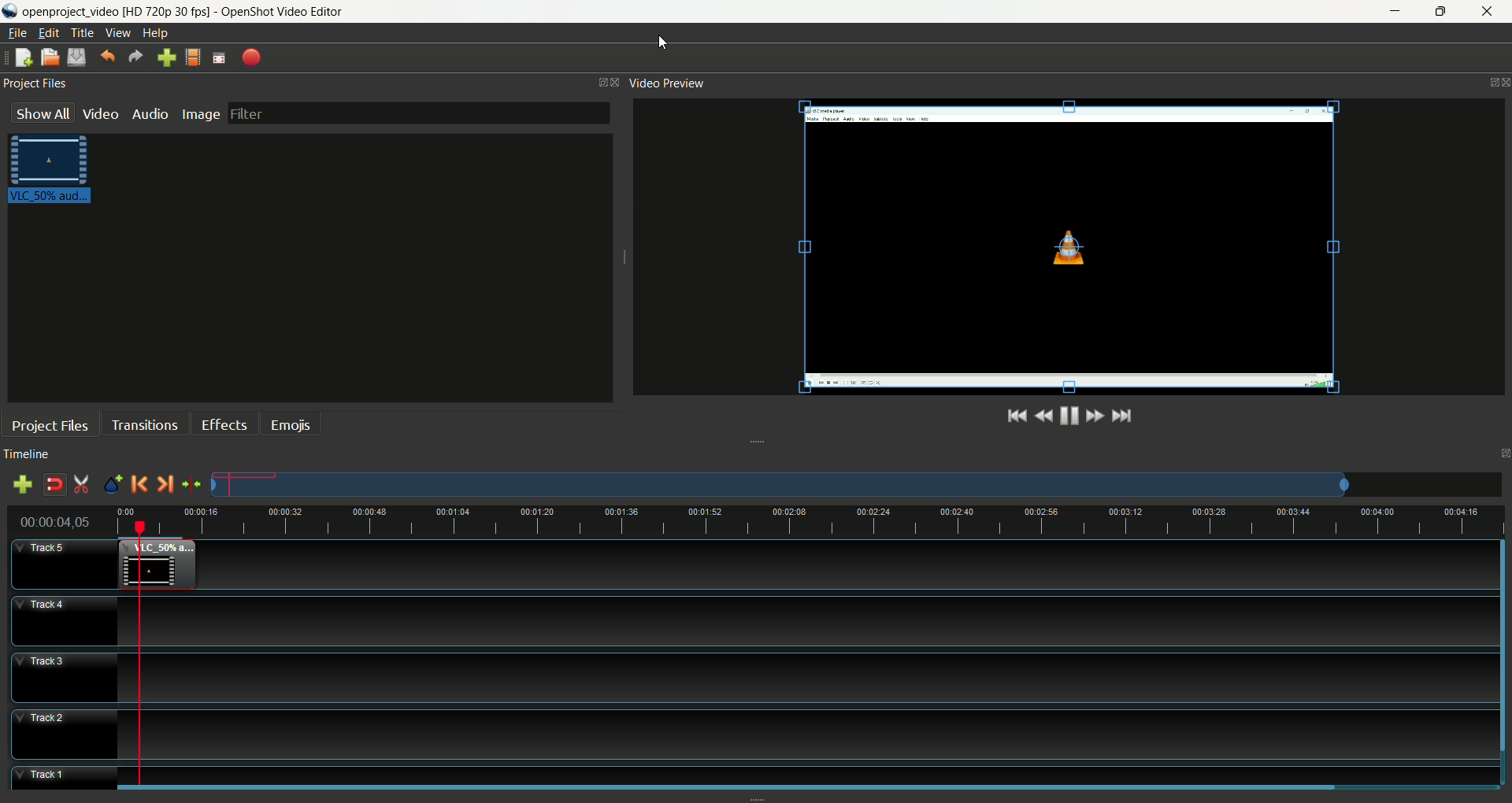  What do you see at coordinates (193, 56) in the screenshot?
I see `choose profile` at bounding box center [193, 56].